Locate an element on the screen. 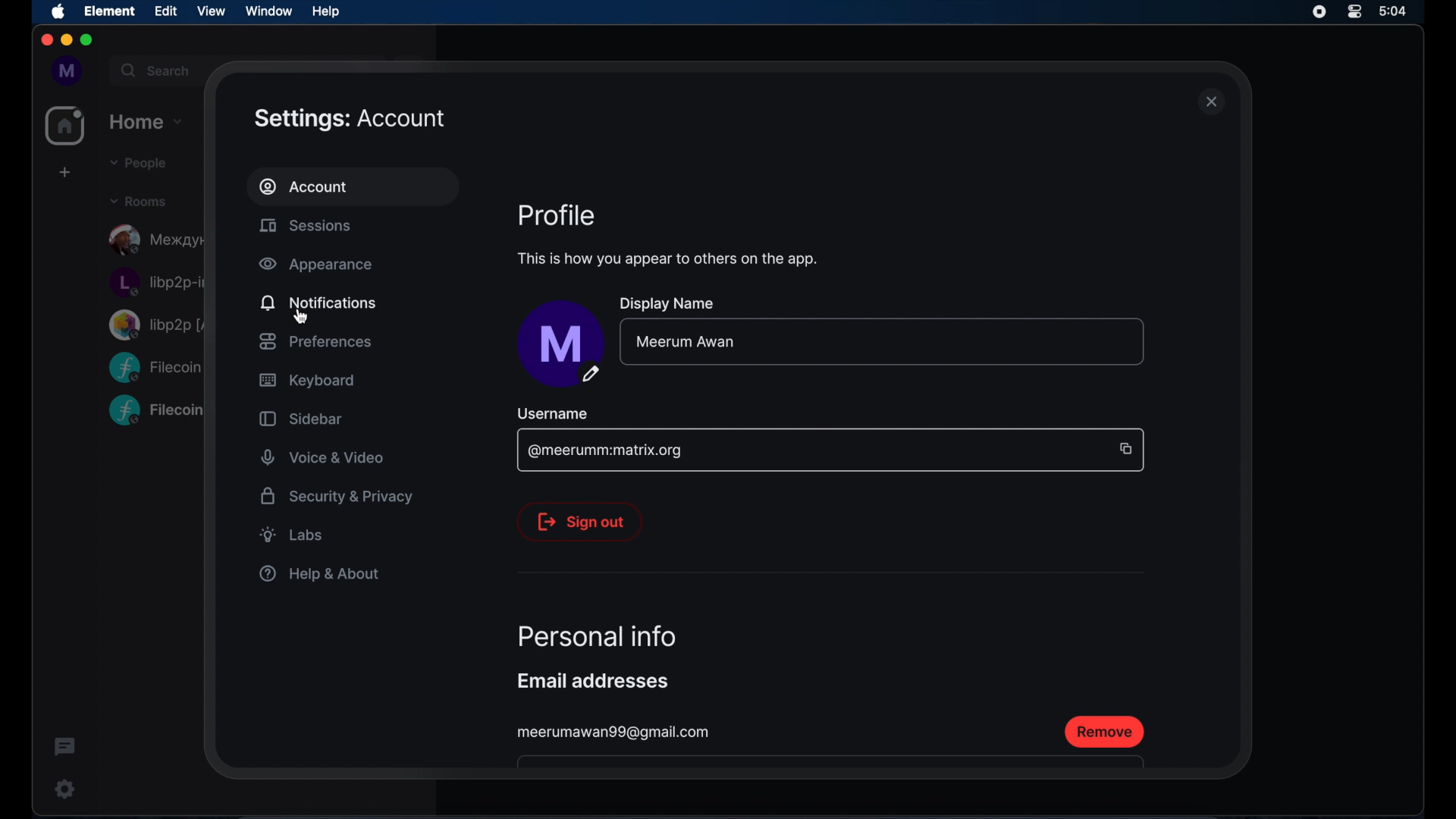 This screenshot has width=1456, height=819. copy username is located at coordinates (1125, 448).